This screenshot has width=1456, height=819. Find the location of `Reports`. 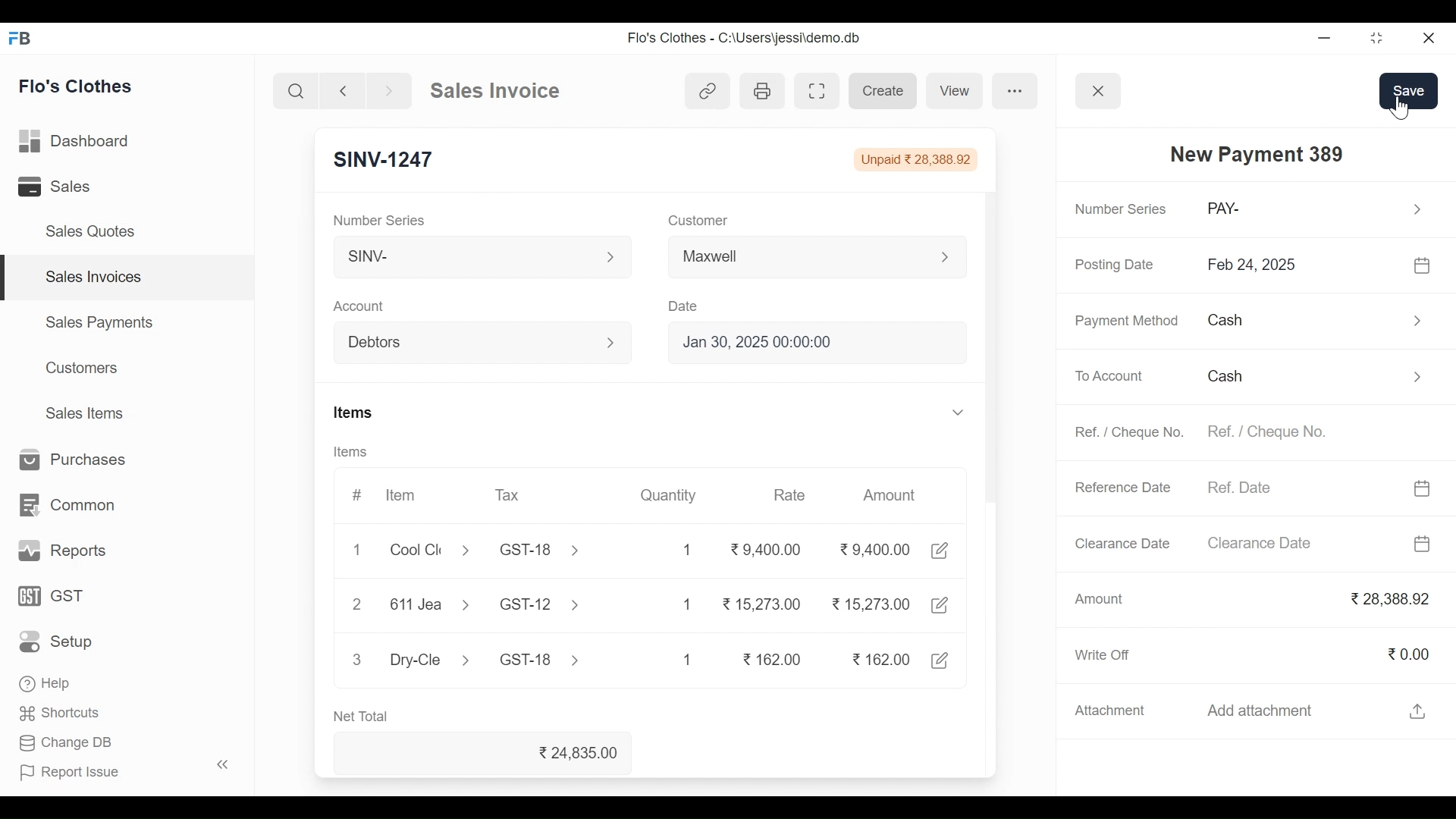

Reports is located at coordinates (59, 551).